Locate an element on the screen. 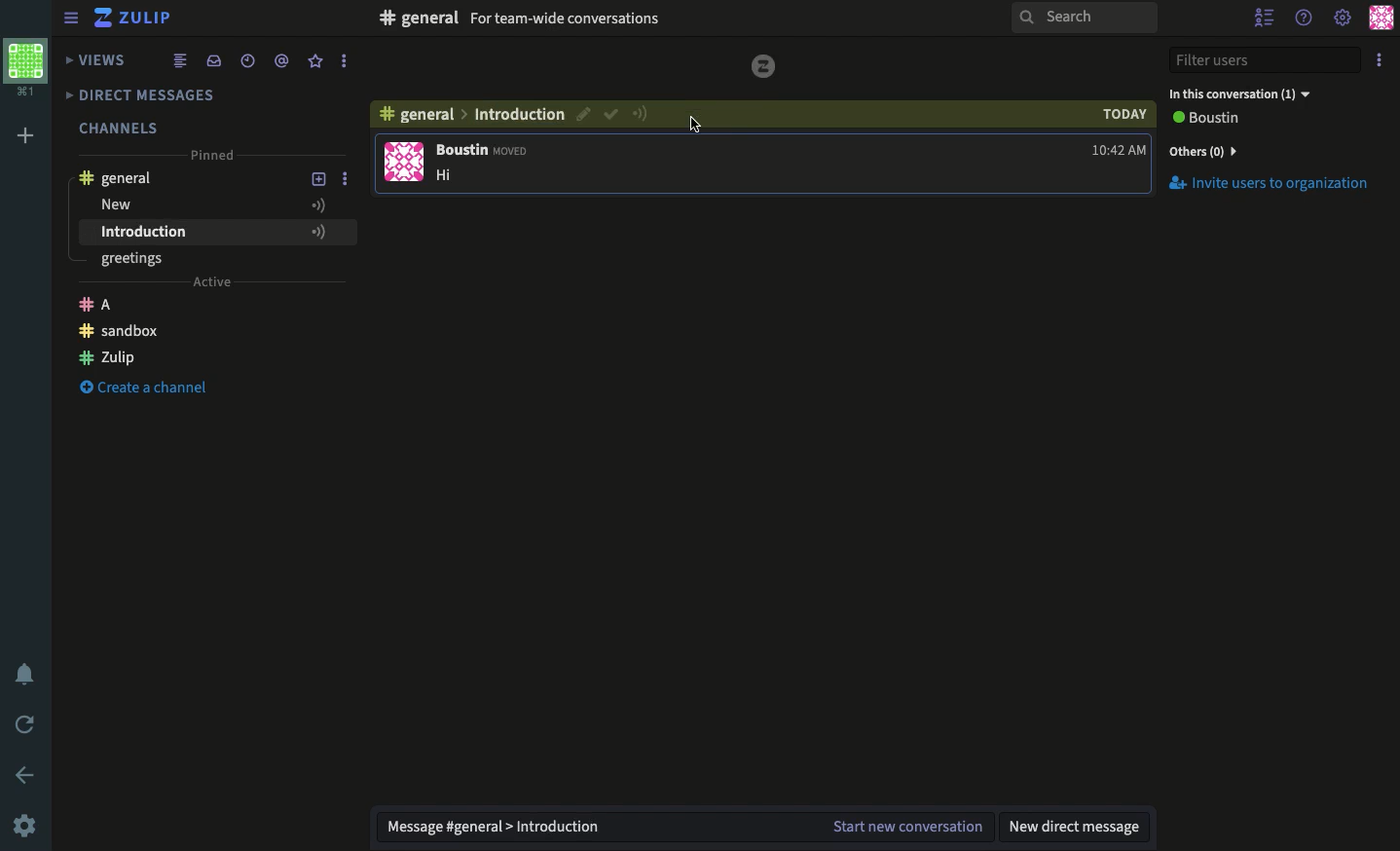 The height and width of the screenshot is (851, 1400). time is located at coordinates (1119, 153).